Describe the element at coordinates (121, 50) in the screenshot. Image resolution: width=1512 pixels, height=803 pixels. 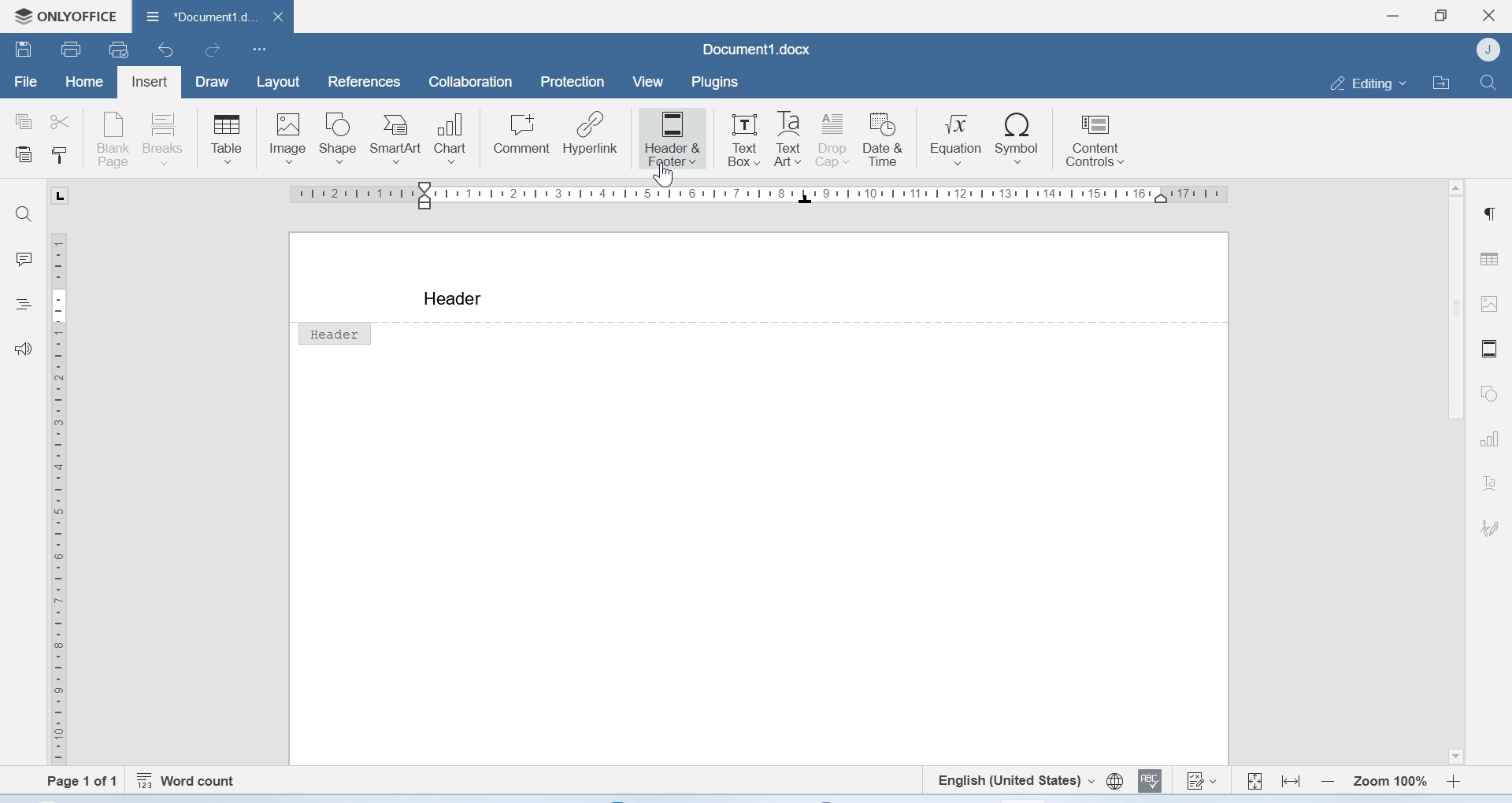
I see `uick print` at that location.